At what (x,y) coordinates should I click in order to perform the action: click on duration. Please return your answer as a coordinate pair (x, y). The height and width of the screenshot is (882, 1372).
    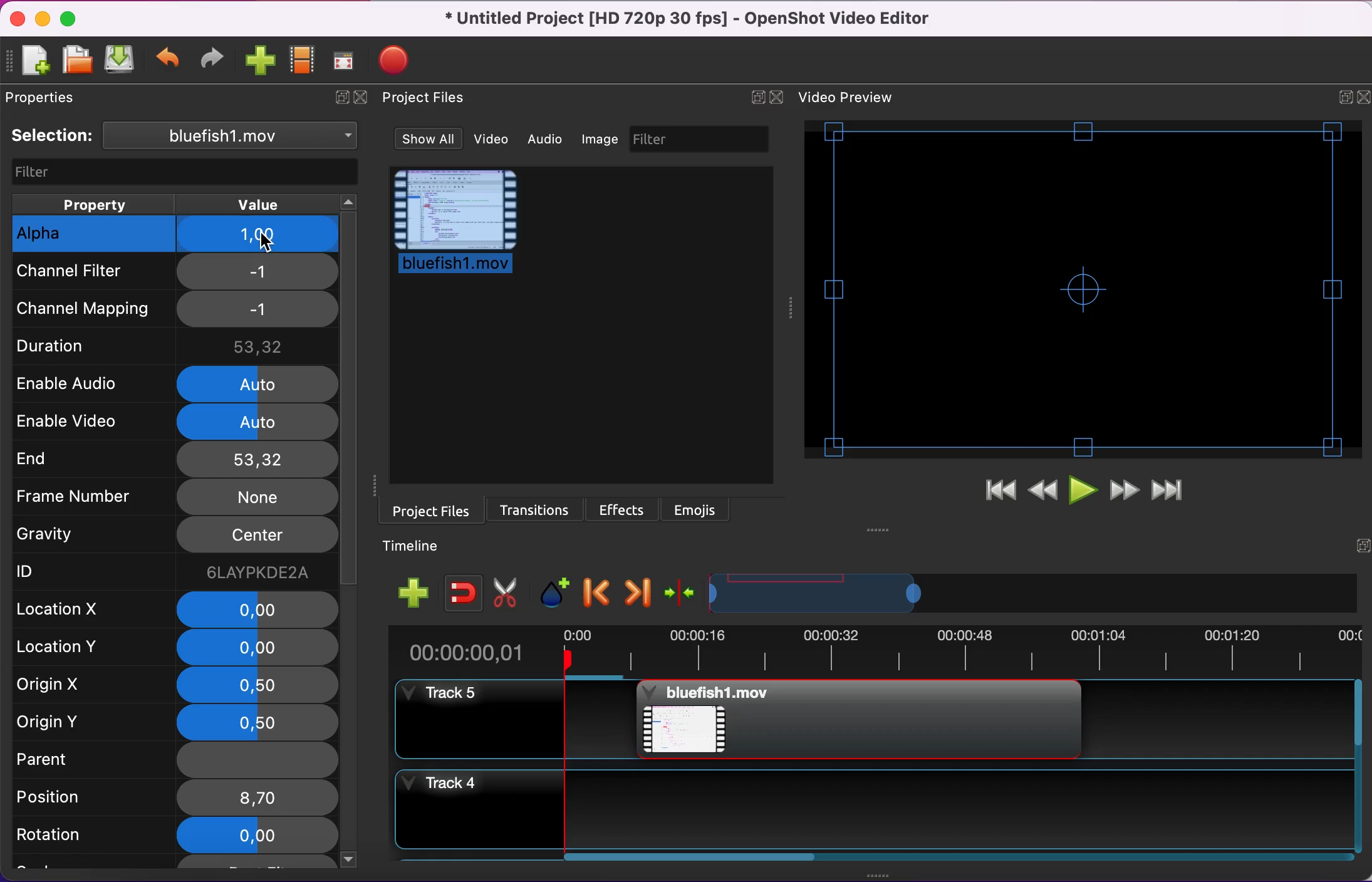
    Looking at the image, I should click on (93, 348).